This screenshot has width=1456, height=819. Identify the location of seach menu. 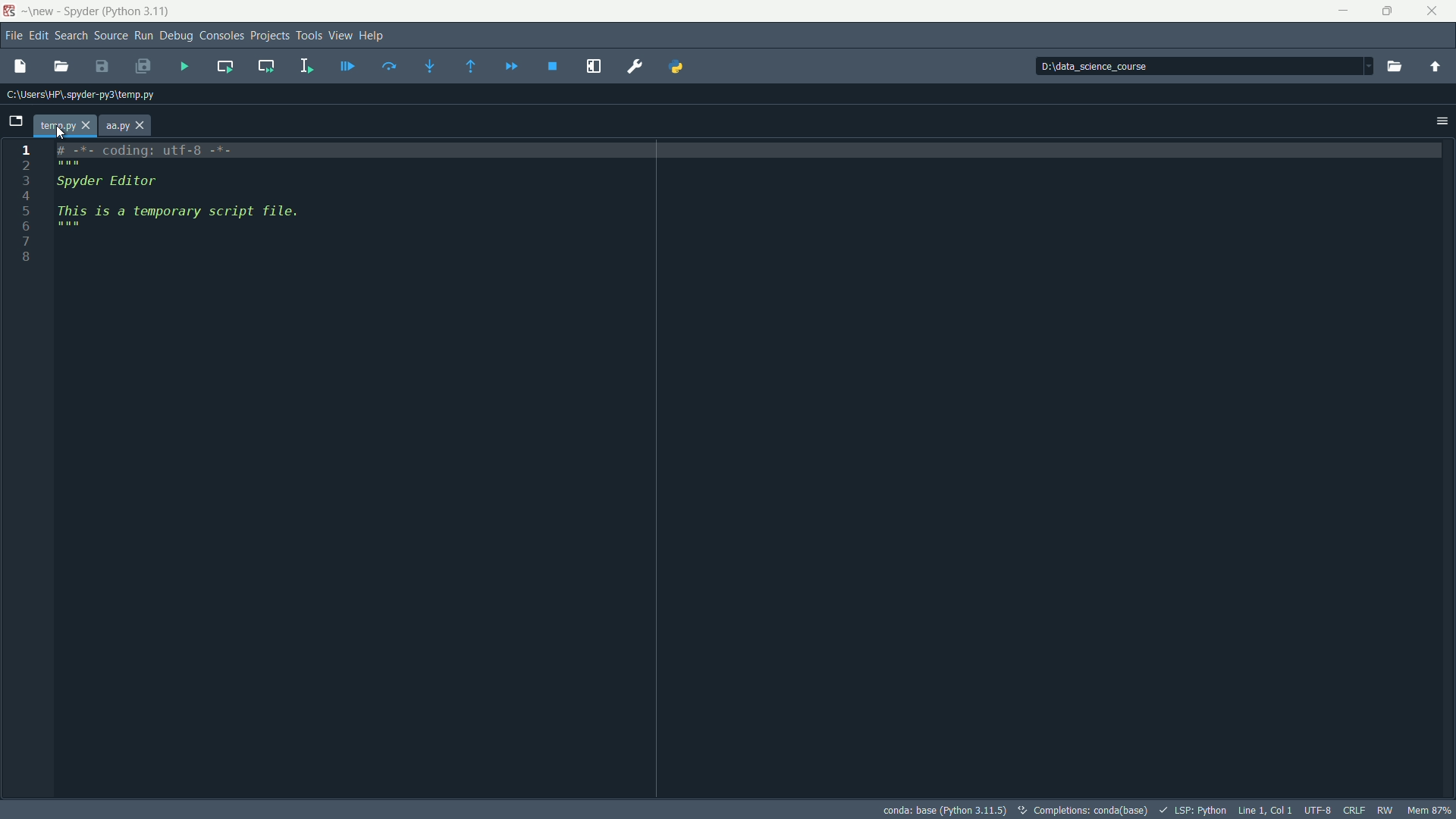
(71, 36).